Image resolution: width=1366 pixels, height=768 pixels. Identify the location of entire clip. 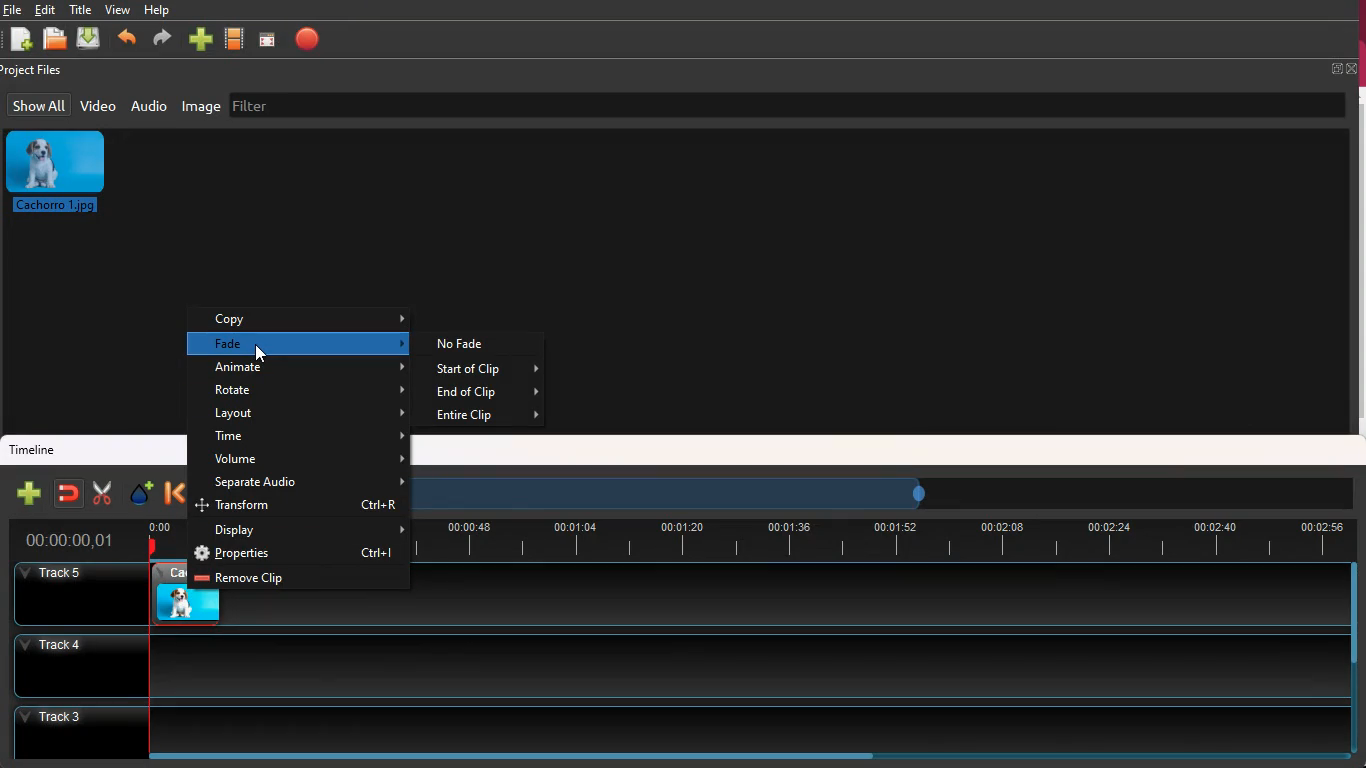
(486, 417).